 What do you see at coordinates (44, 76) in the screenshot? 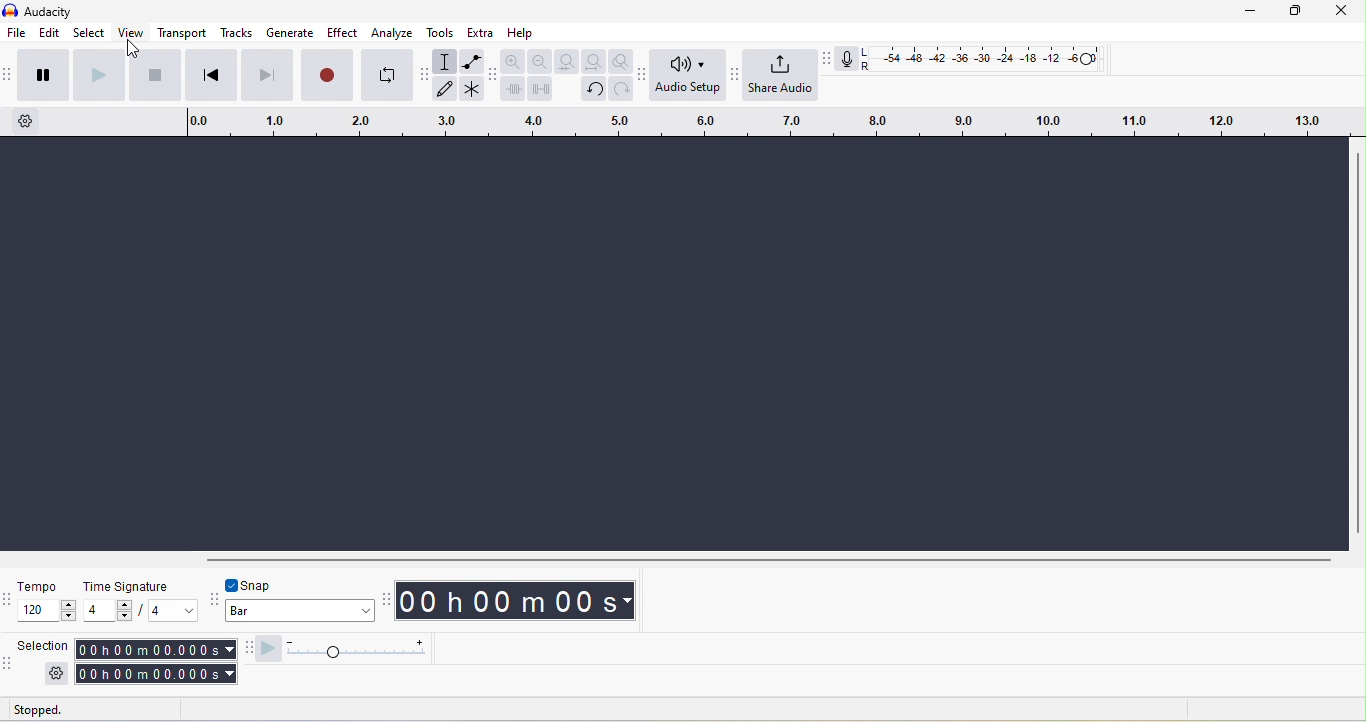
I see `pause` at bounding box center [44, 76].